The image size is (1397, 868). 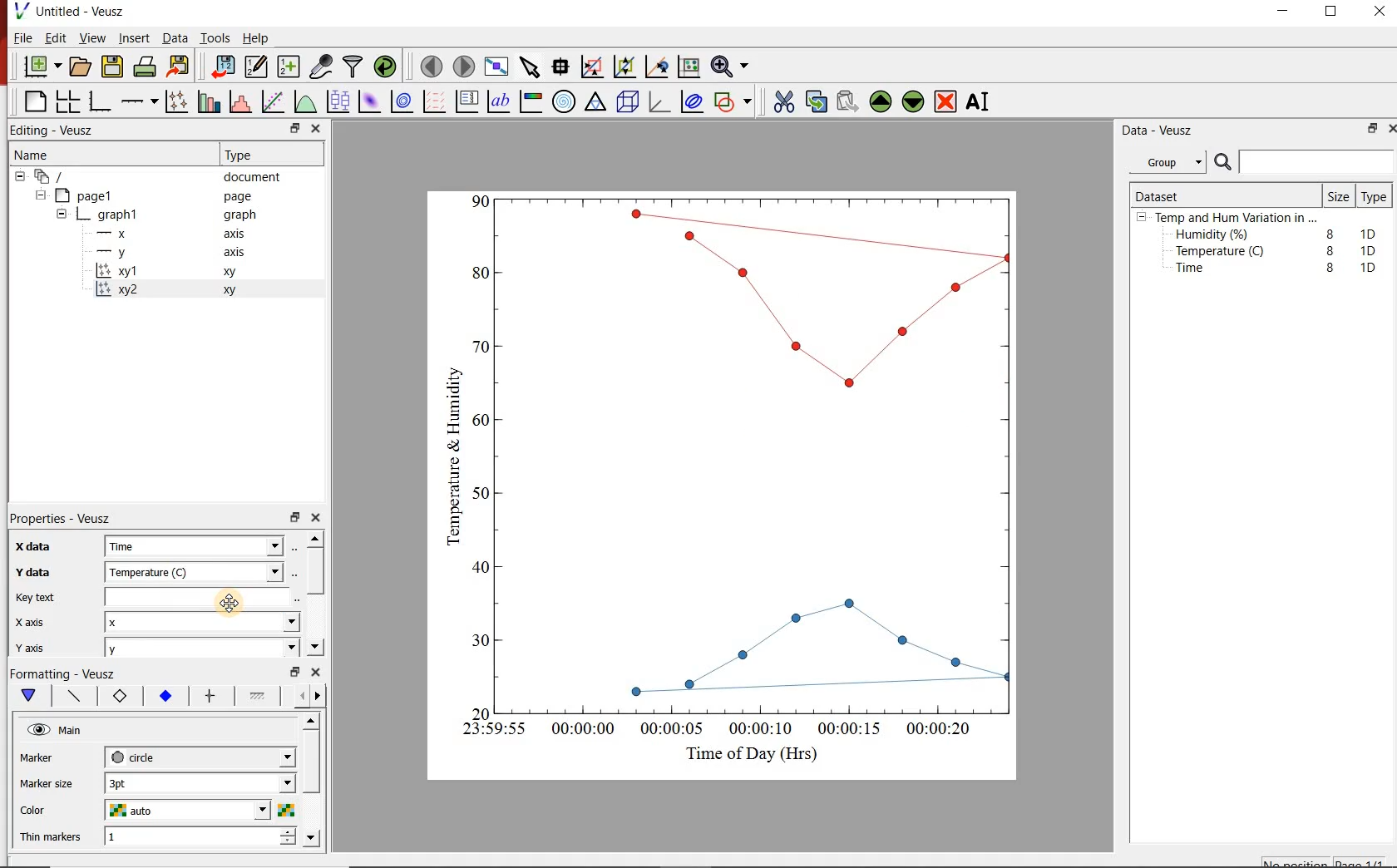 I want to click on Marker dropdown, so click(x=262, y=757).